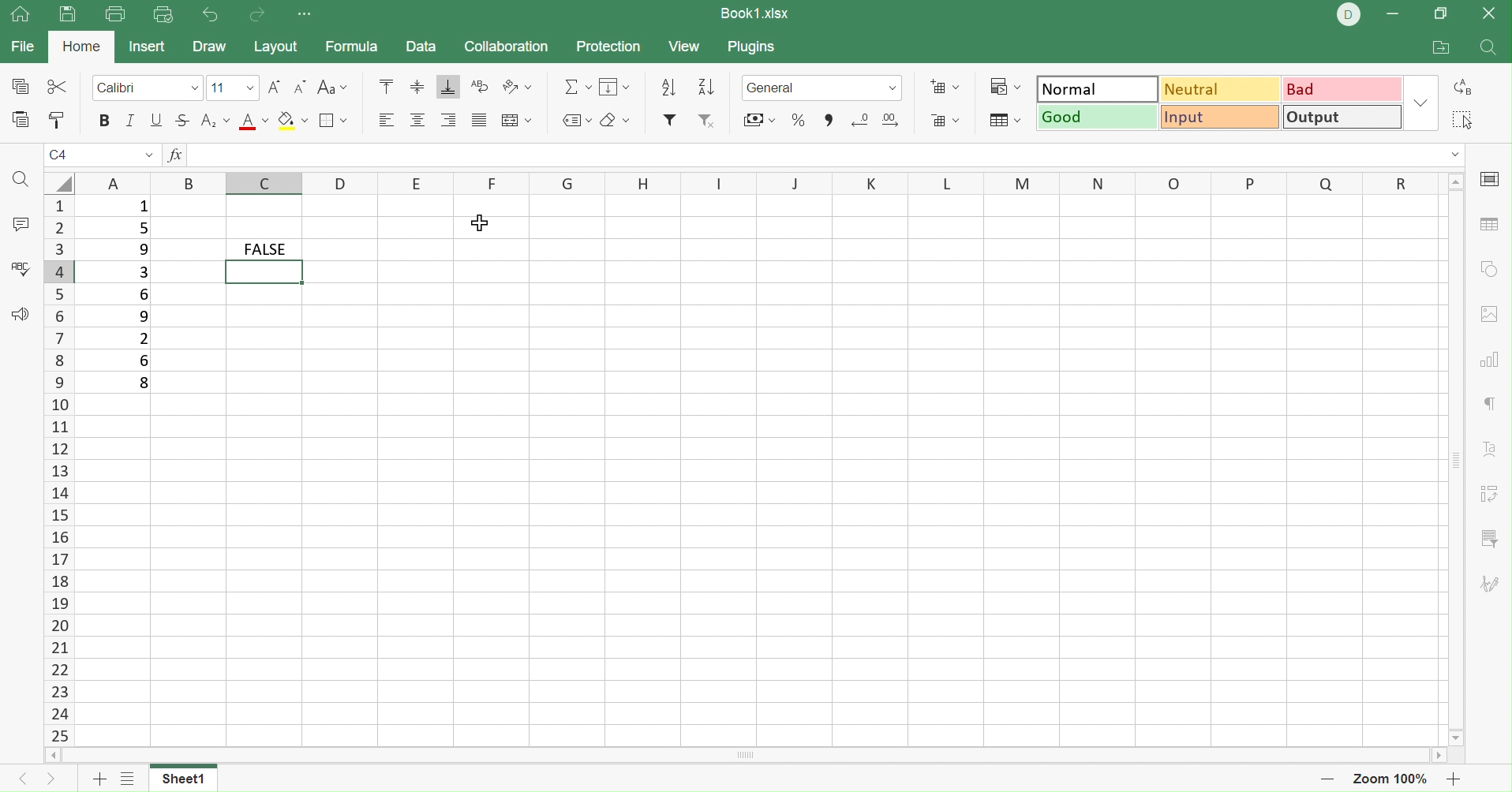 The width and height of the screenshot is (1512, 792). I want to click on Feedback & support, so click(20, 313).